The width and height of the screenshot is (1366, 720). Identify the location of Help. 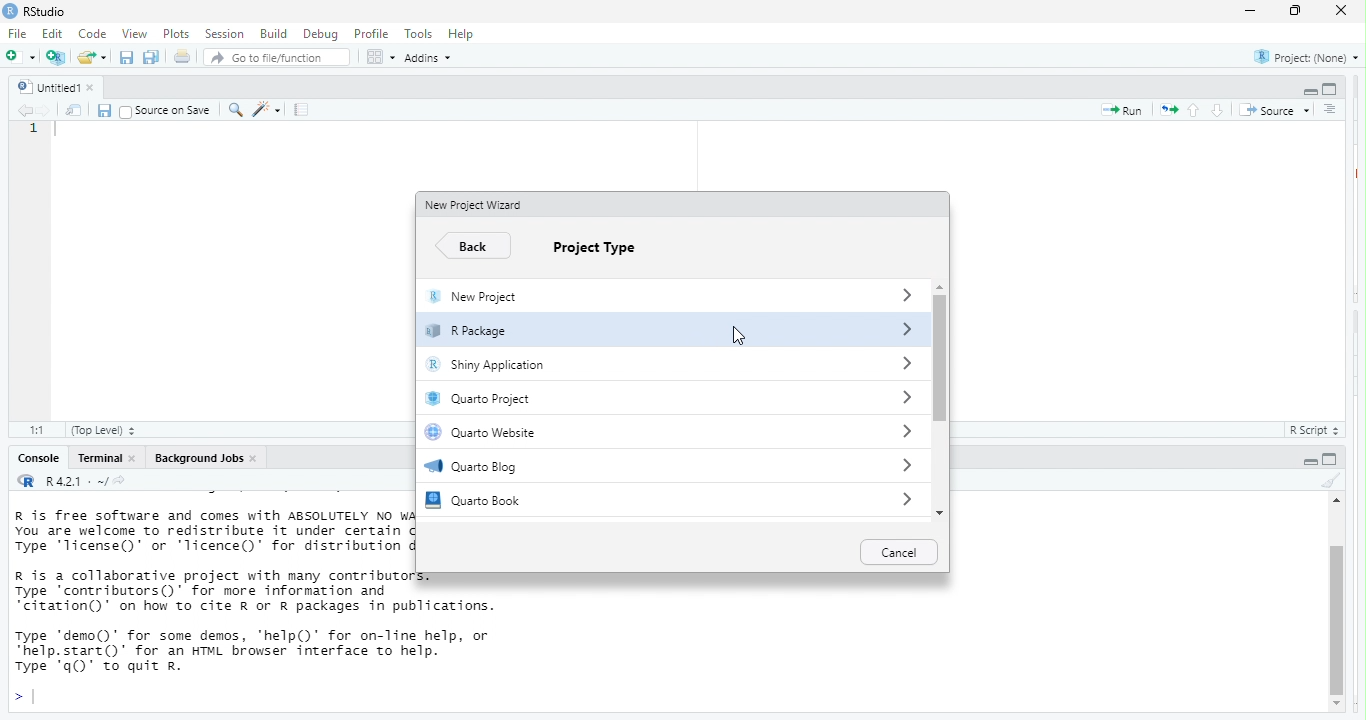
(463, 33).